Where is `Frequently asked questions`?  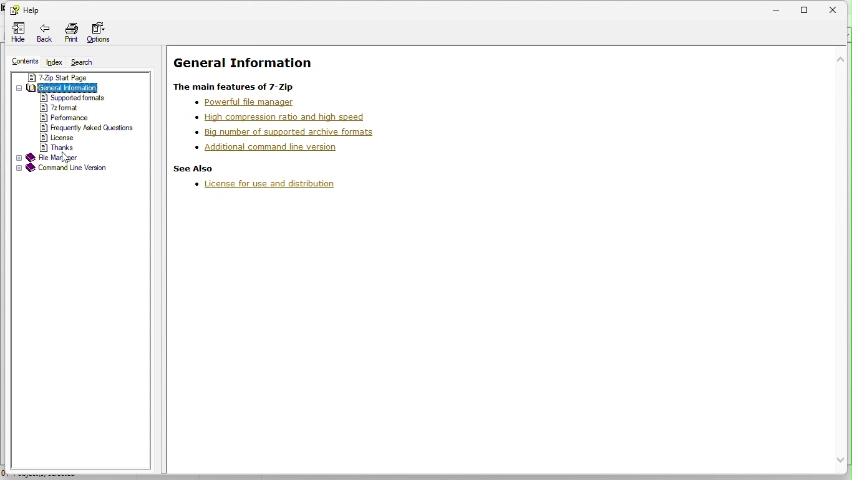
Frequently asked questions is located at coordinates (89, 128).